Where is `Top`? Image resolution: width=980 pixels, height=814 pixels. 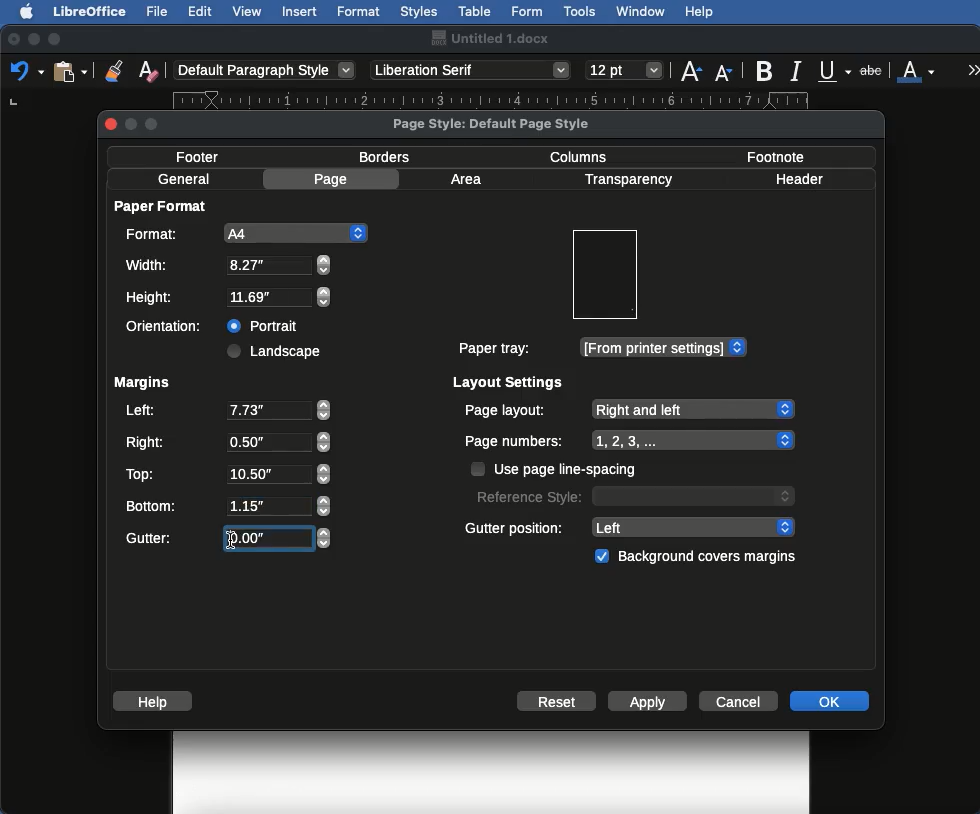 Top is located at coordinates (225, 474).